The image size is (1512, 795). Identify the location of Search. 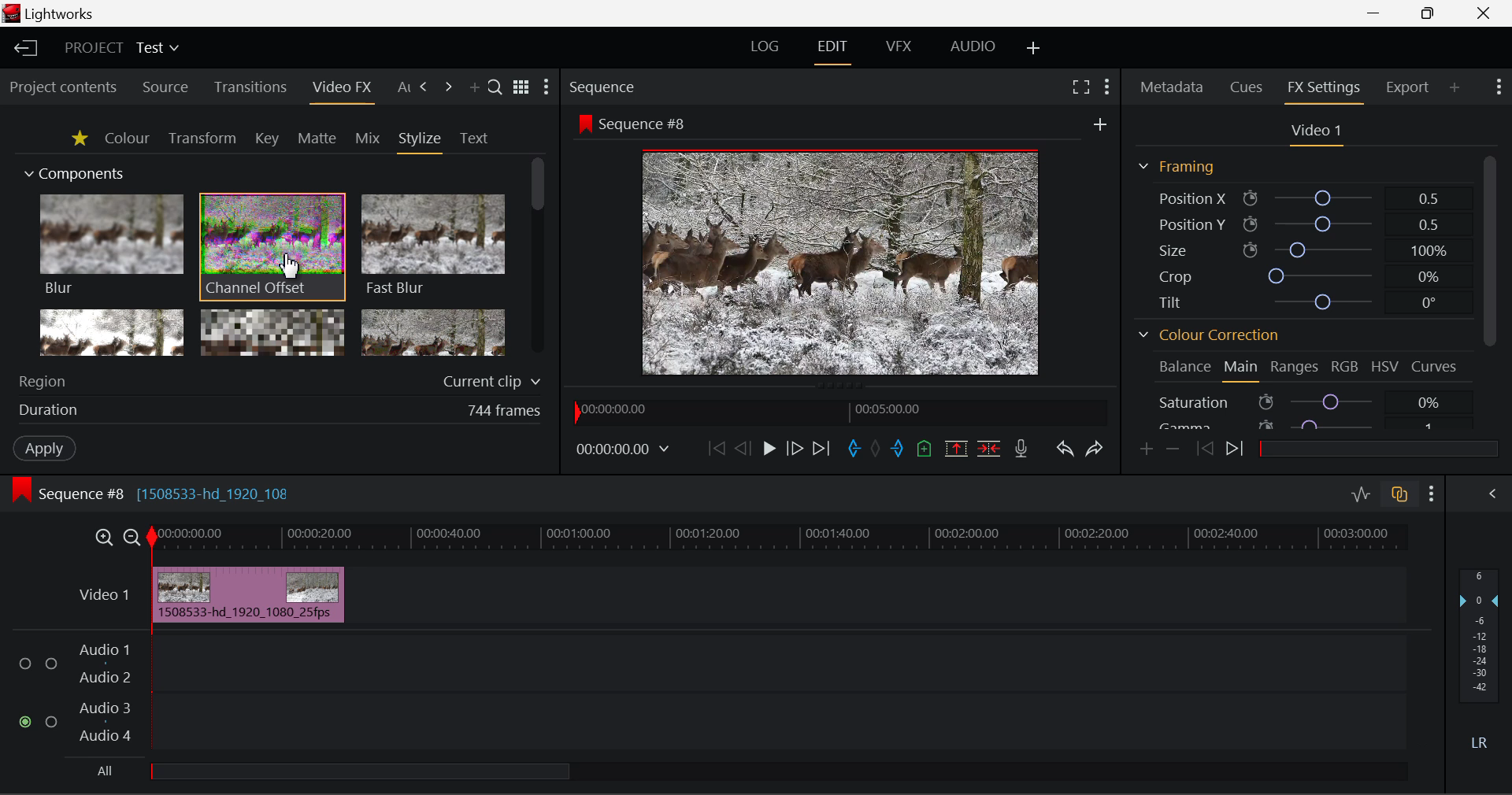
(495, 87).